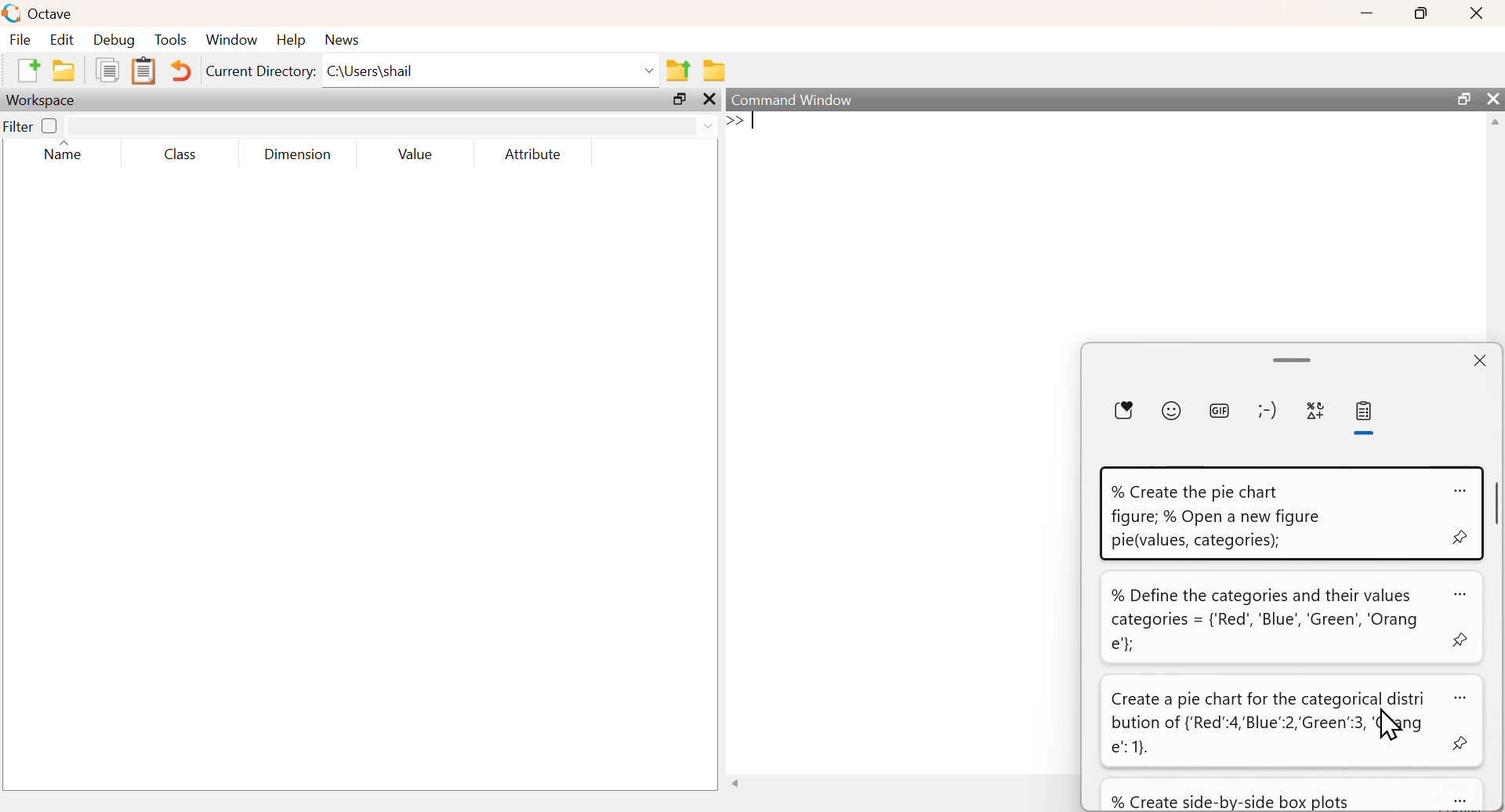 Image resolution: width=1505 pixels, height=812 pixels. What do you see at coordinates (107, 69) in the screenshot?
I see `Duplicate` at bounding box center [107, 69].